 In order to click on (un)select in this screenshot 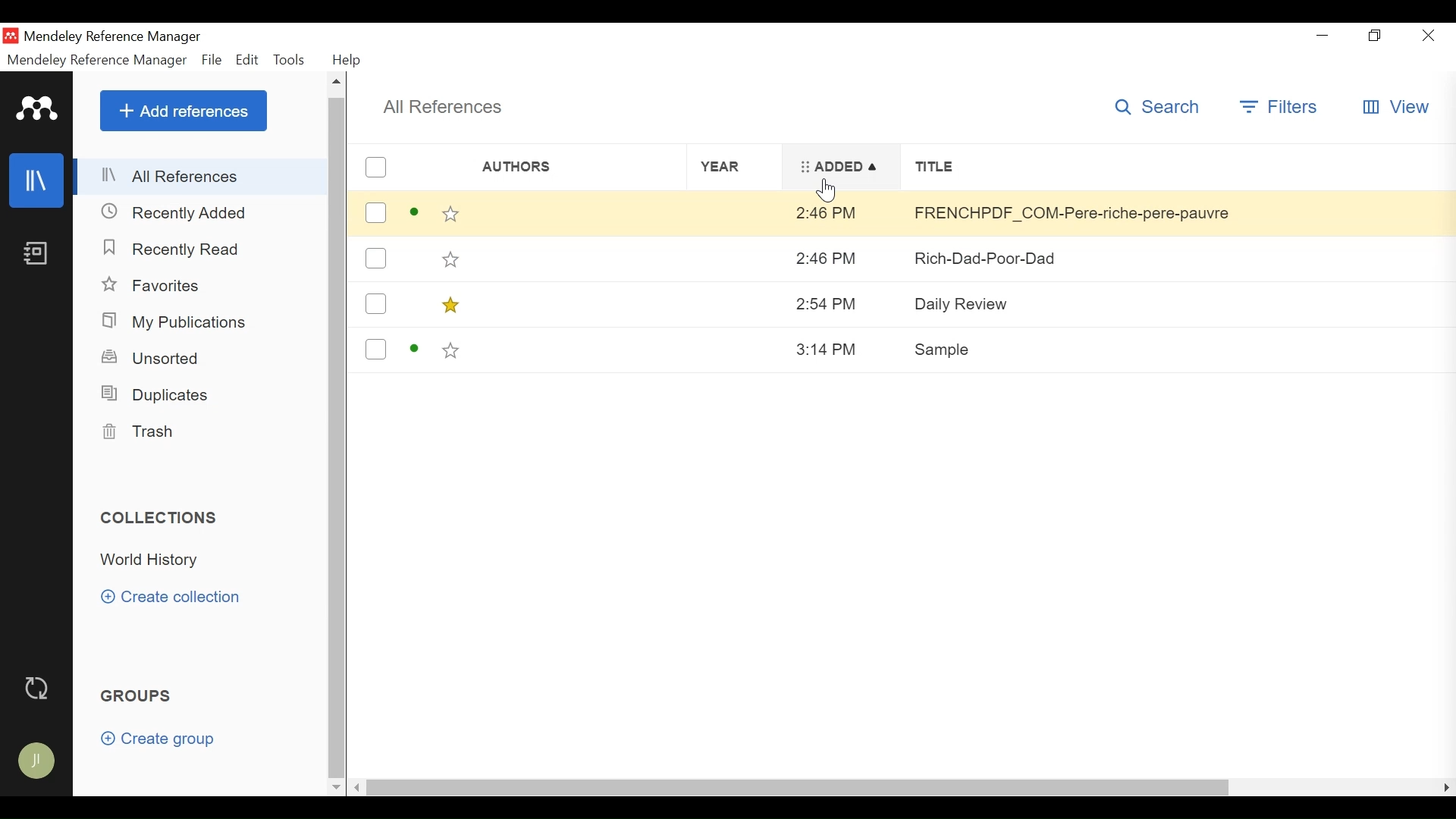, I will do `click(374, 212)`.